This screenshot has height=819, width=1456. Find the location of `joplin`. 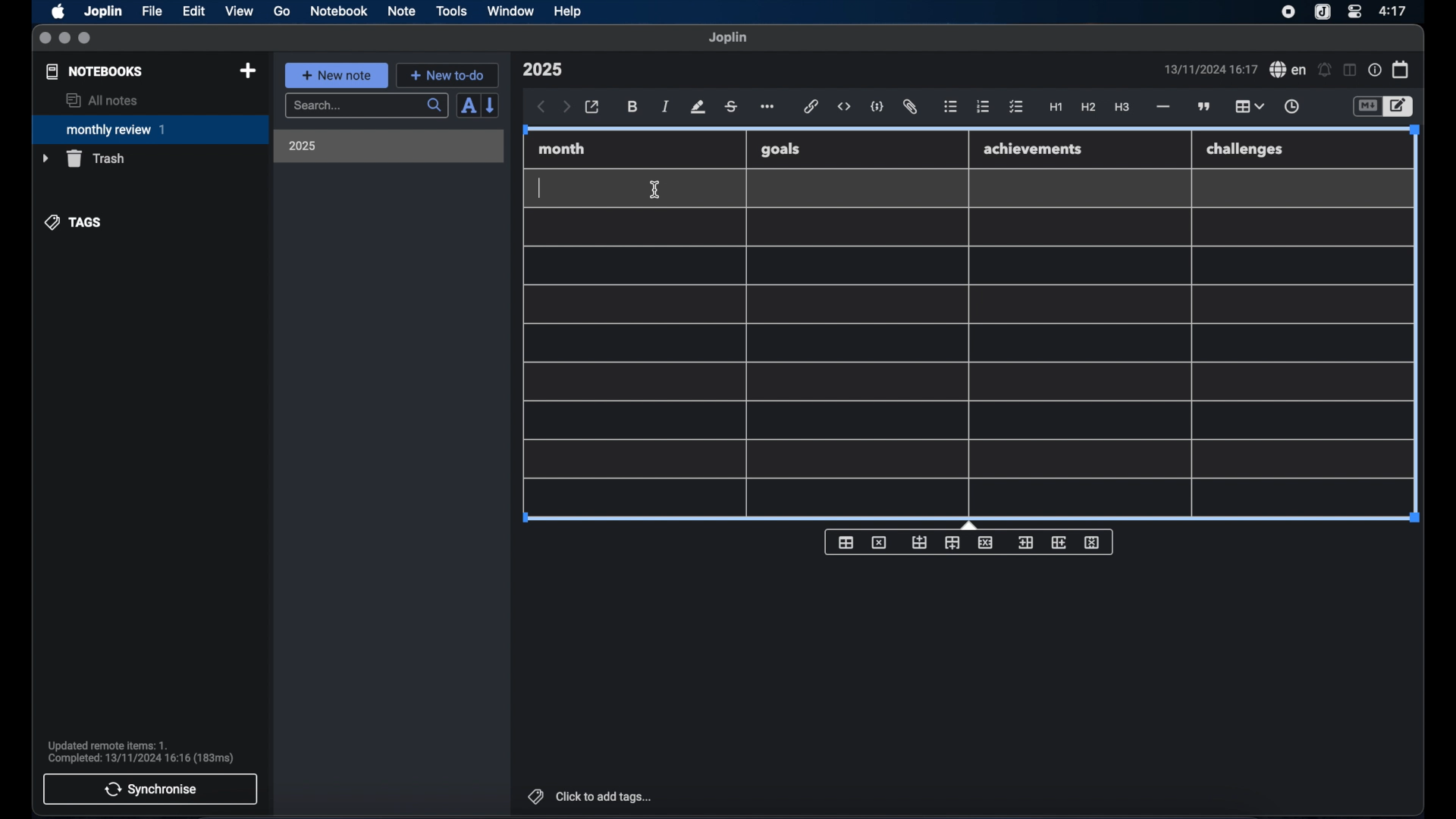

joplin is located at coordinates (728, 37).